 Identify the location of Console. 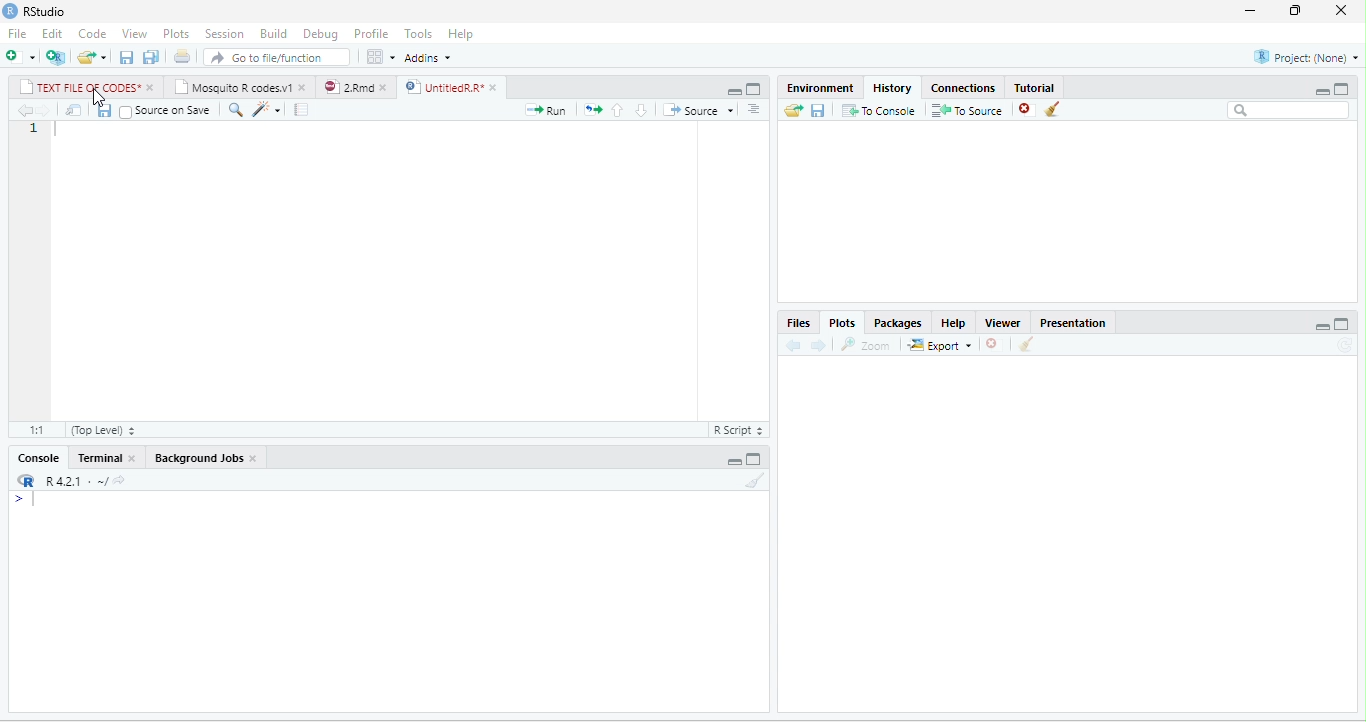
(38, 457).